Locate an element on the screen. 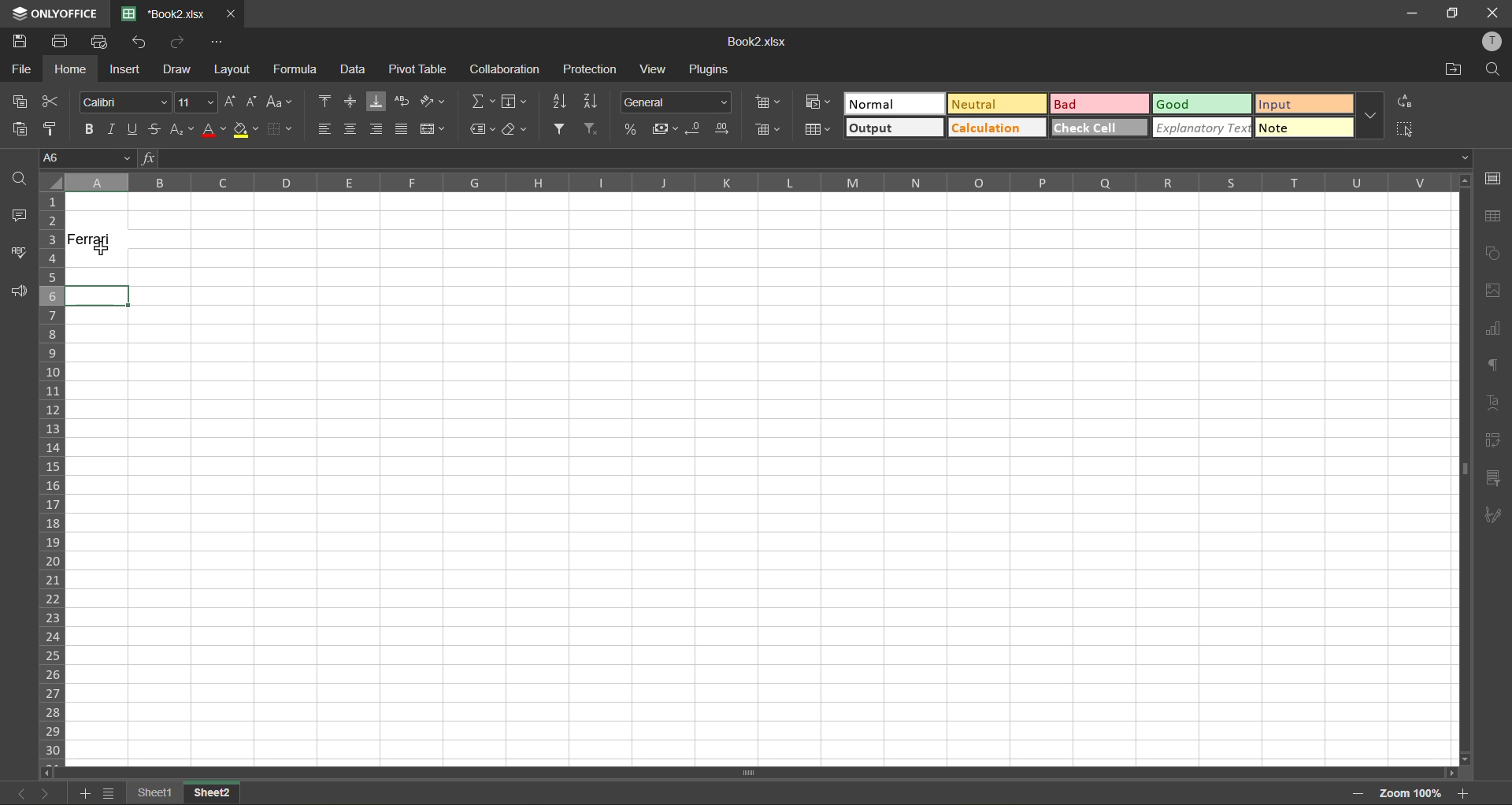  replace is located at coordinates (1405, 103).